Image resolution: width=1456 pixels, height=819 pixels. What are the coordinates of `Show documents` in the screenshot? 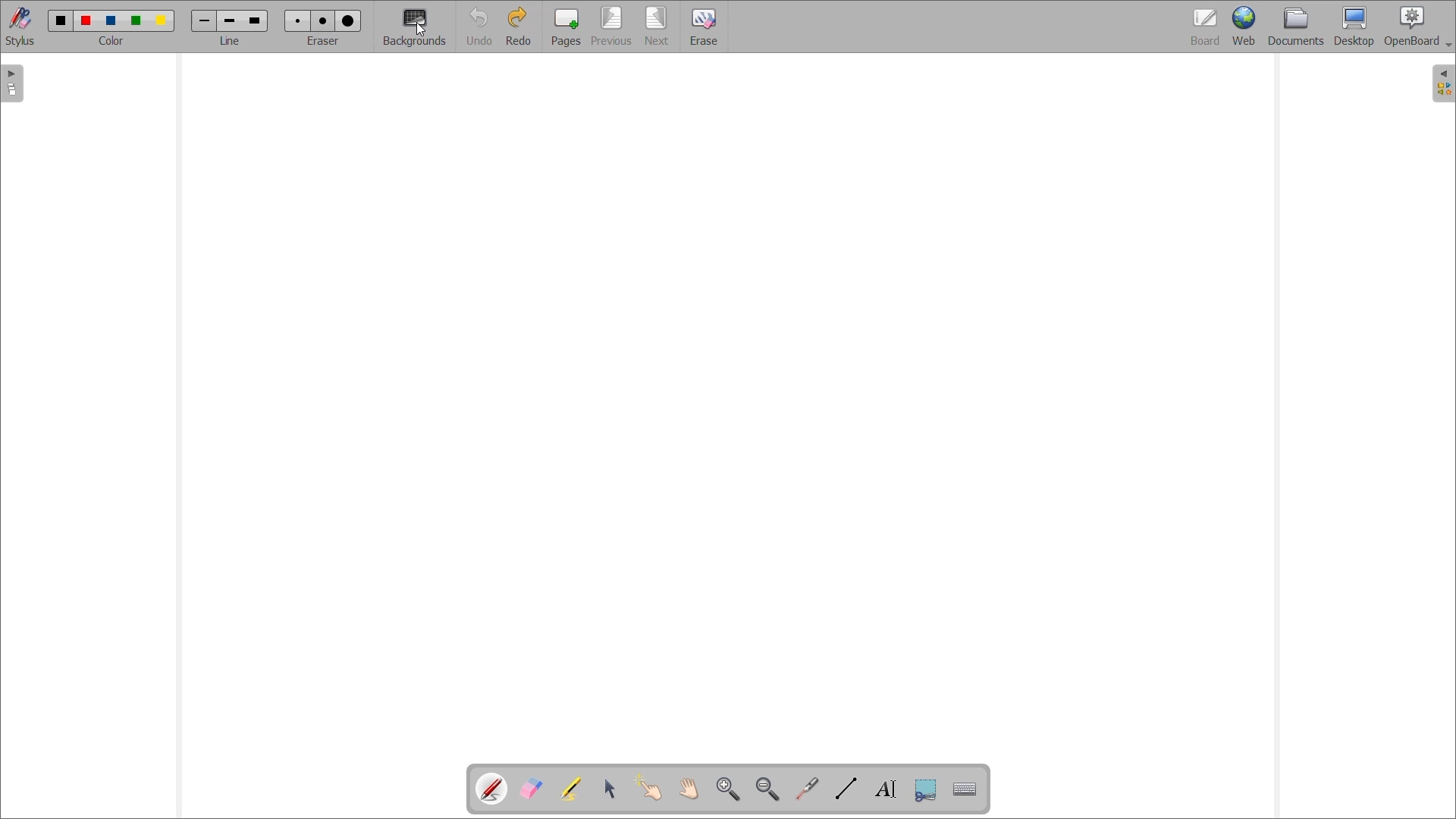 It's located at (1296, 26).